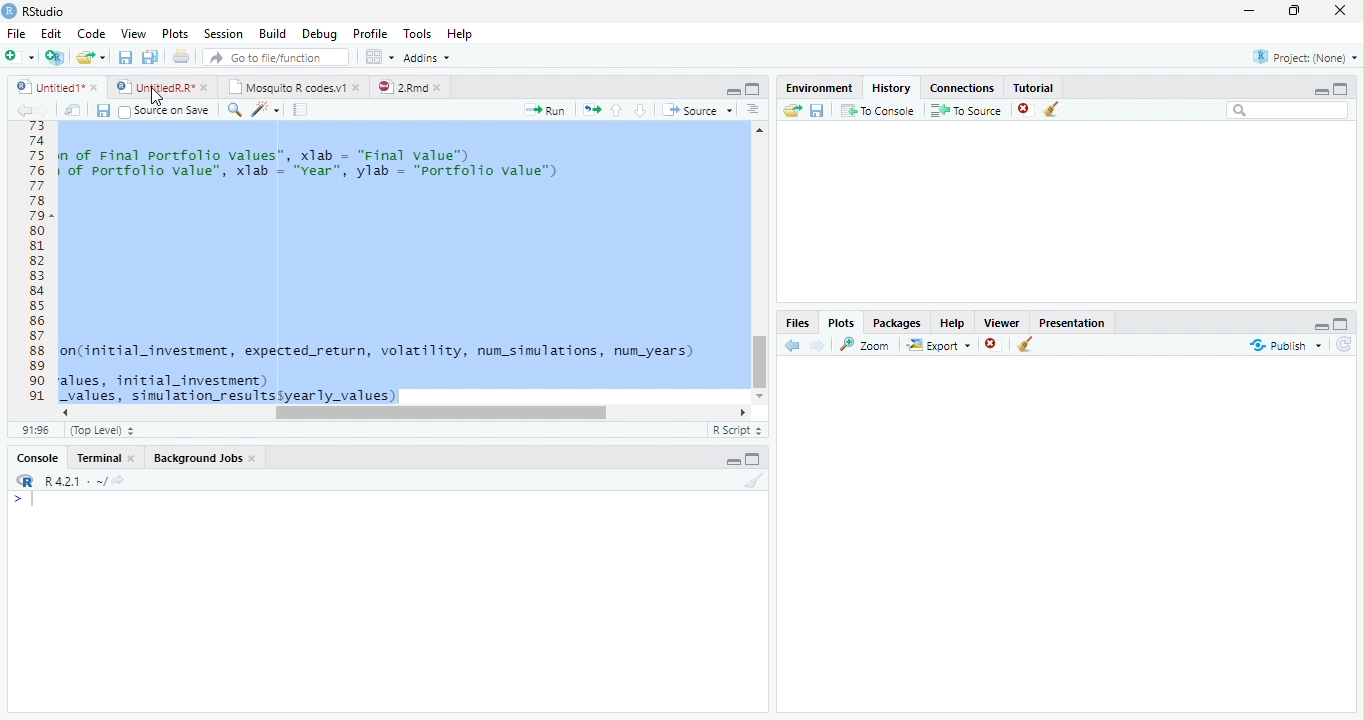  What do you see at coordinates (89, 33) in the screenshot?
I see `Code` at bounding box center [89, 33].